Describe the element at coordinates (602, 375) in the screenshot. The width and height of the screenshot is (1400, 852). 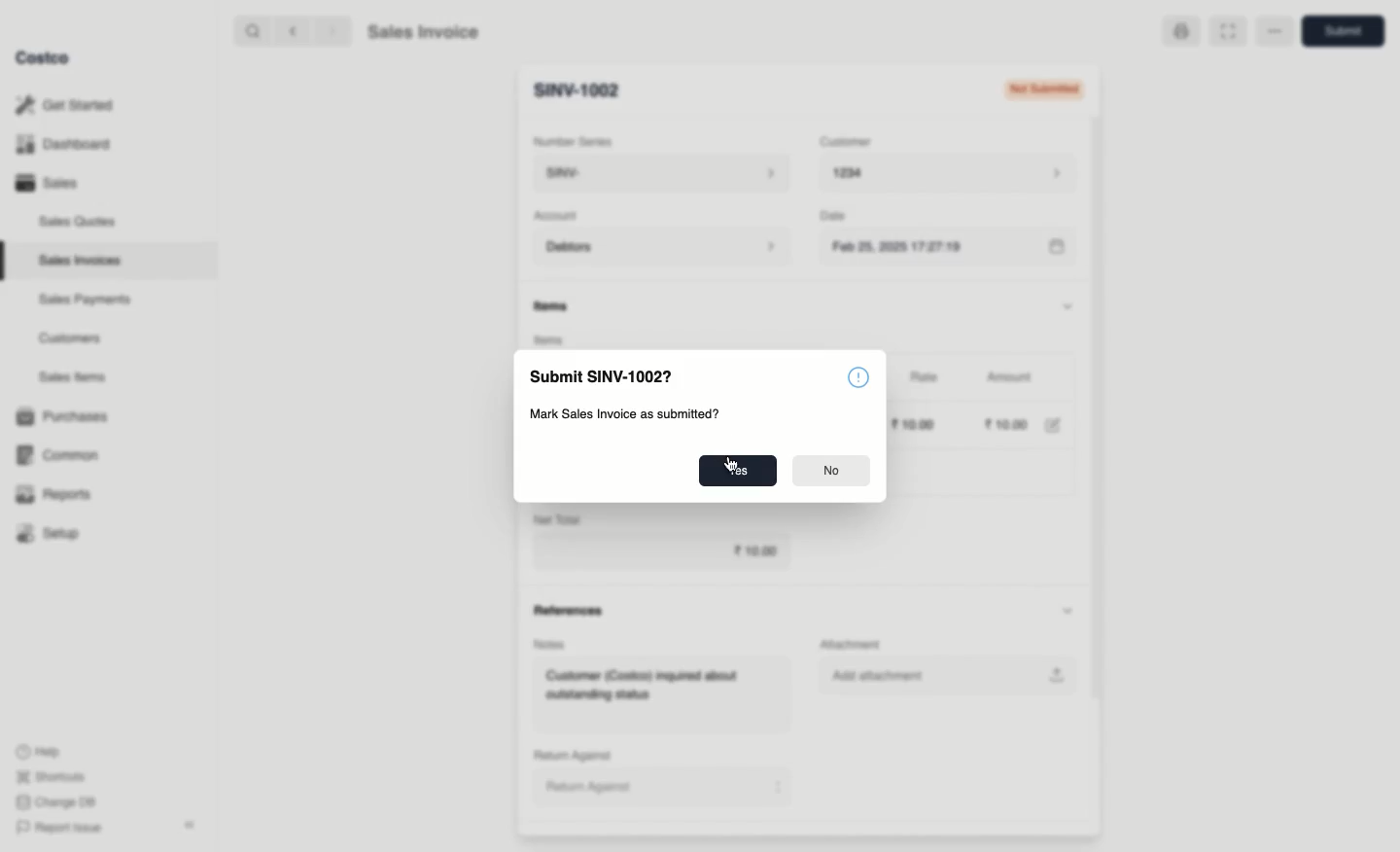
I see `Submit SINV-1002?` at that location.